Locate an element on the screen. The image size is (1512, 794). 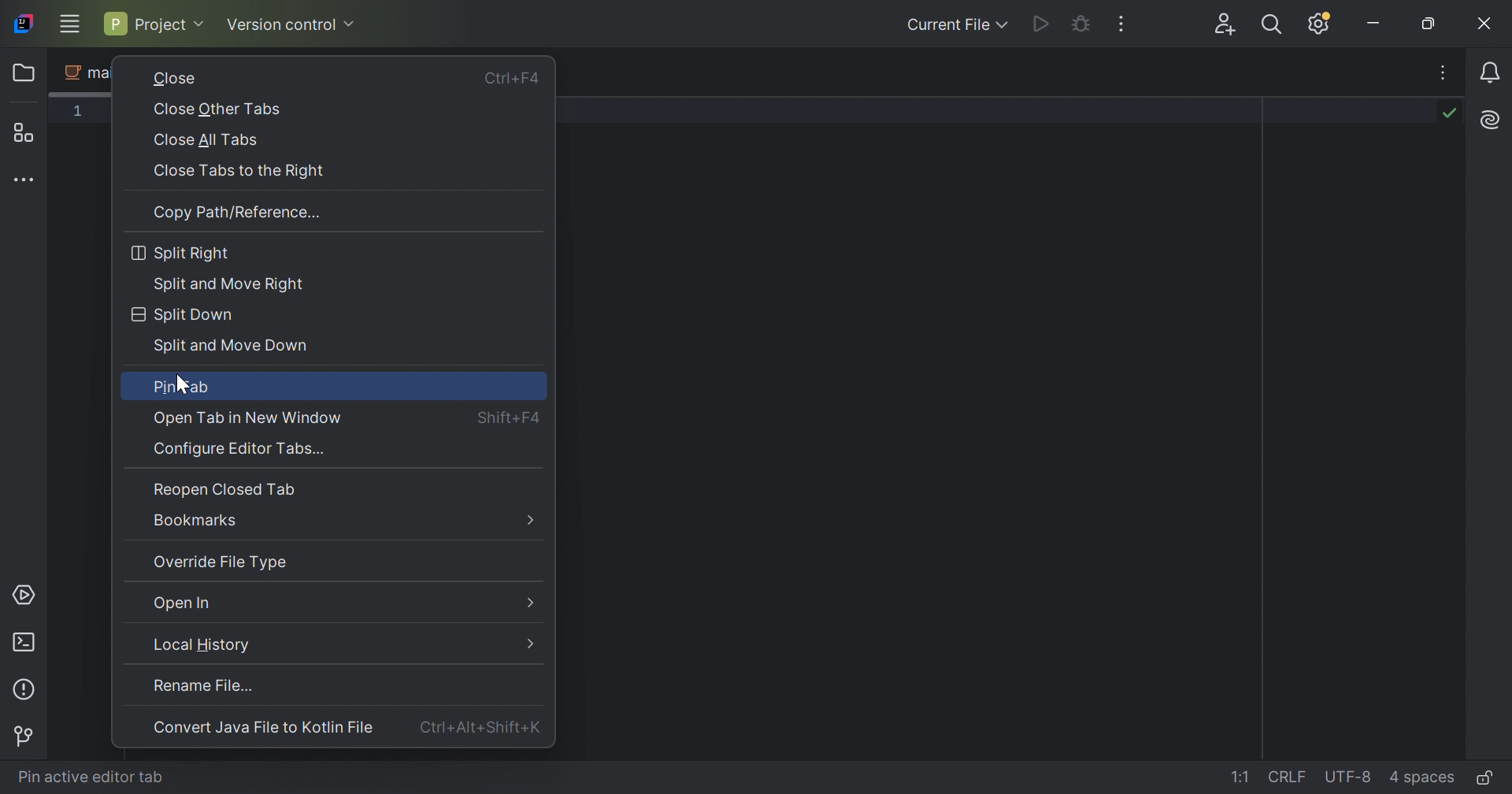
Split down is located at coordinates (180, 315).